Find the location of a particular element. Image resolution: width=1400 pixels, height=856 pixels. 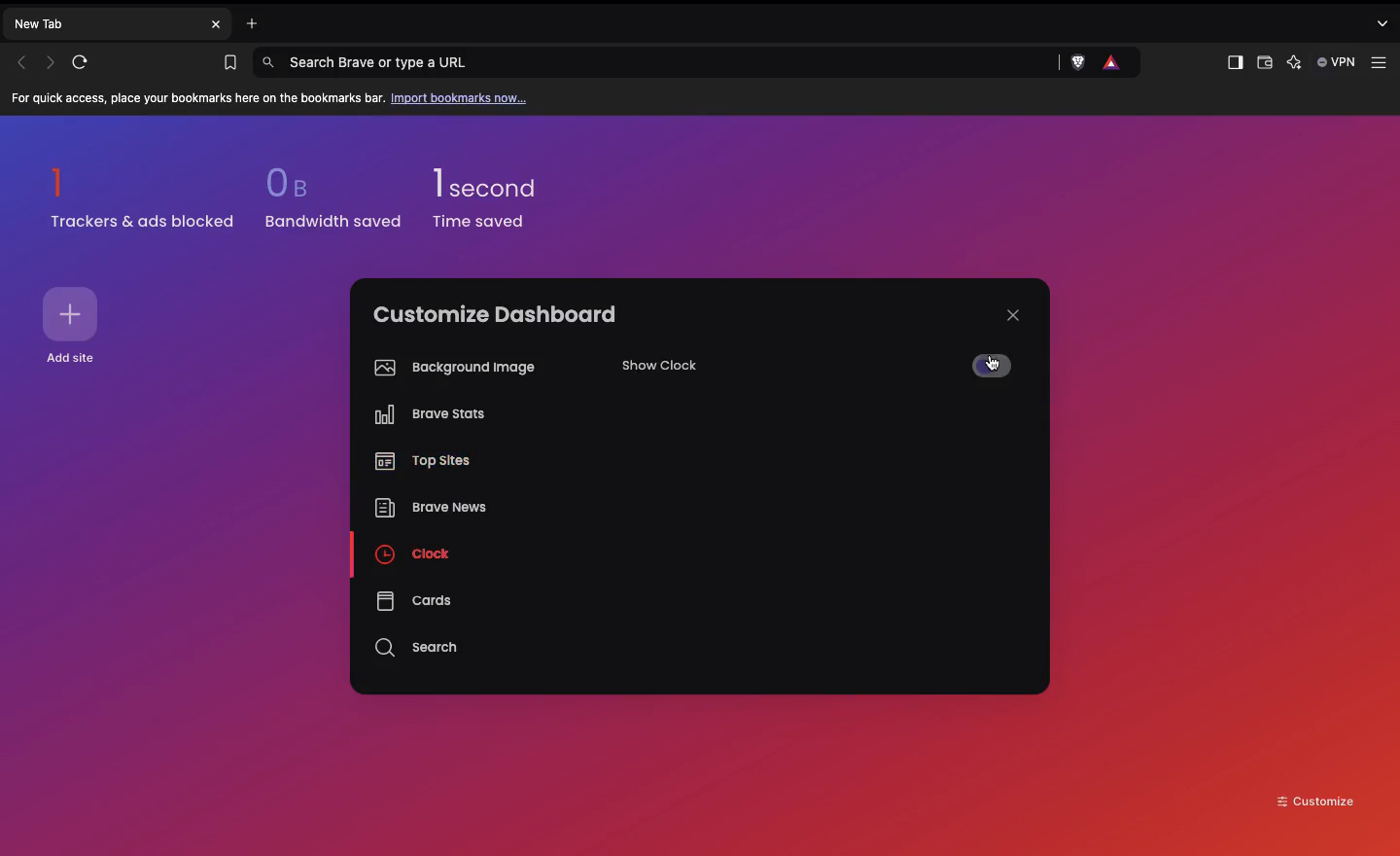

VPN is located at coordinates (1338, 62).